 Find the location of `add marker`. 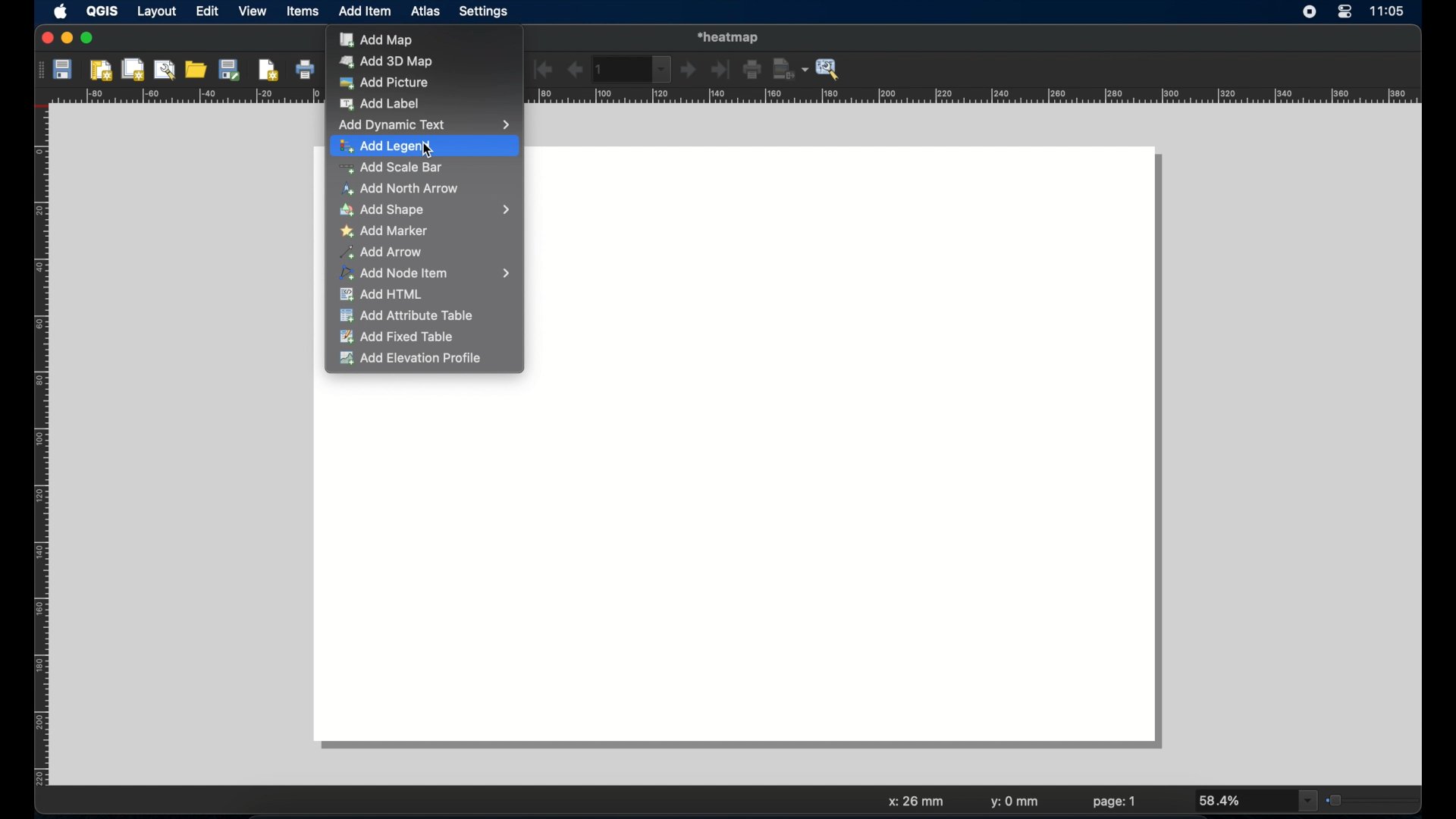

add marker is located at coordinates (387, 231).